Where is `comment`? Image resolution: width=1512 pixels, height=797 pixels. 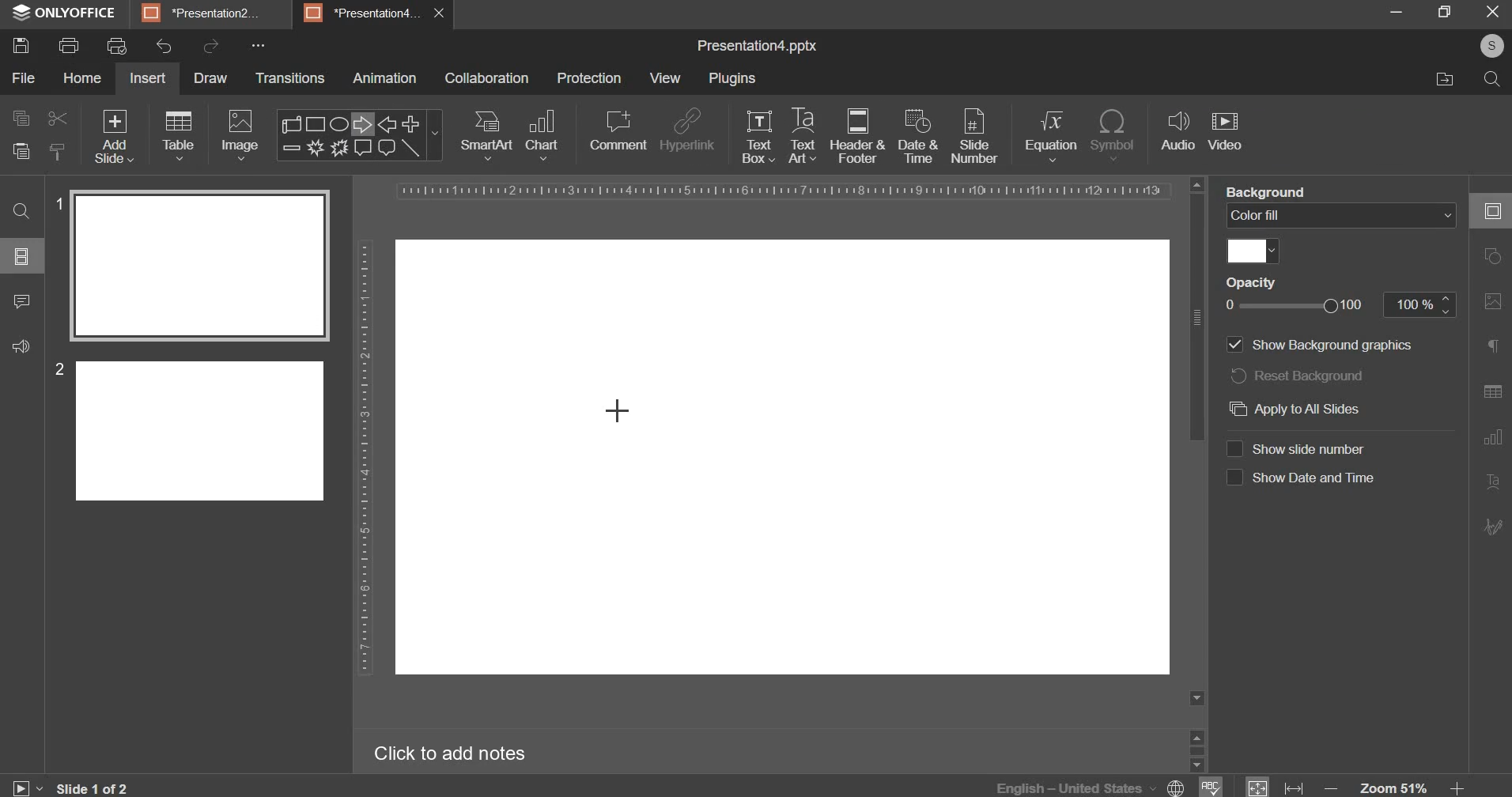 comment is located at coordinates (617, 131).